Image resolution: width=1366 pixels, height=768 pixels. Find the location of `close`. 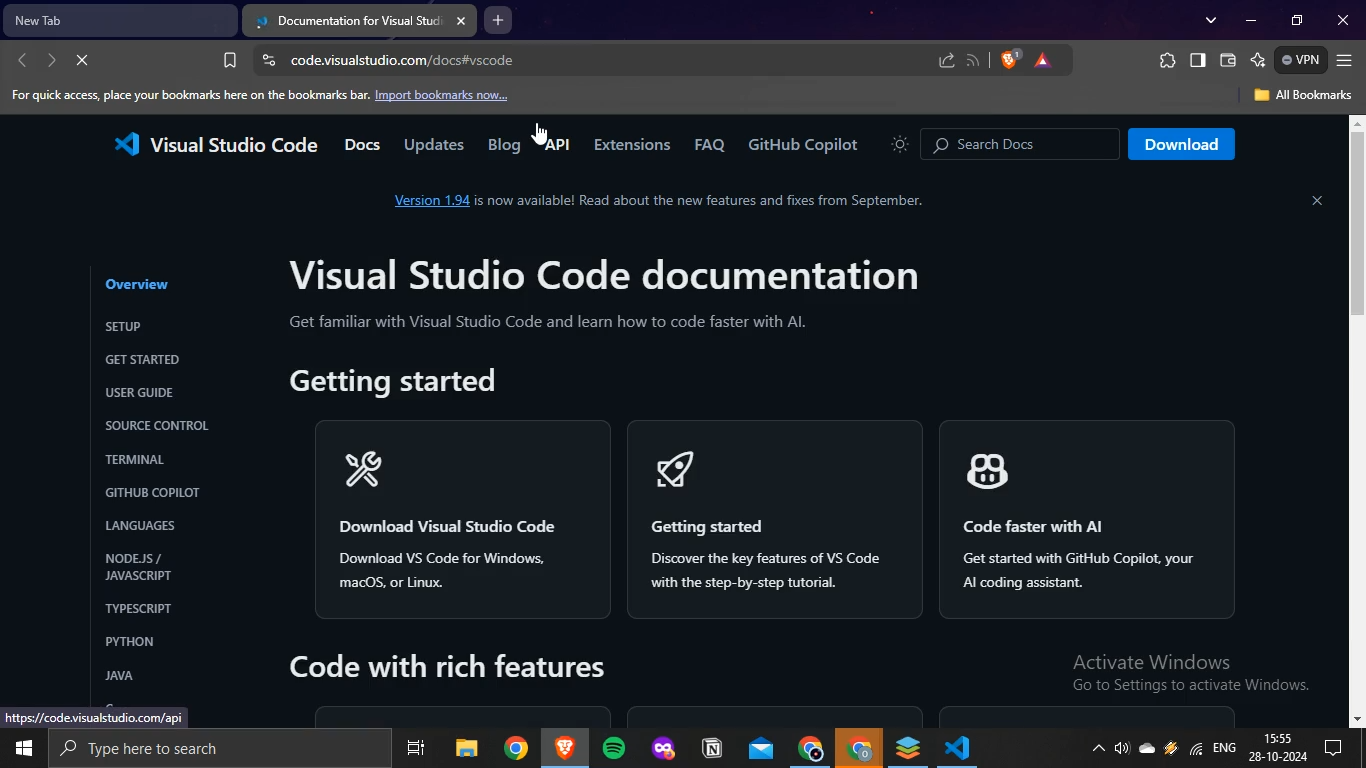

close is located at coordinates (1344, 19).